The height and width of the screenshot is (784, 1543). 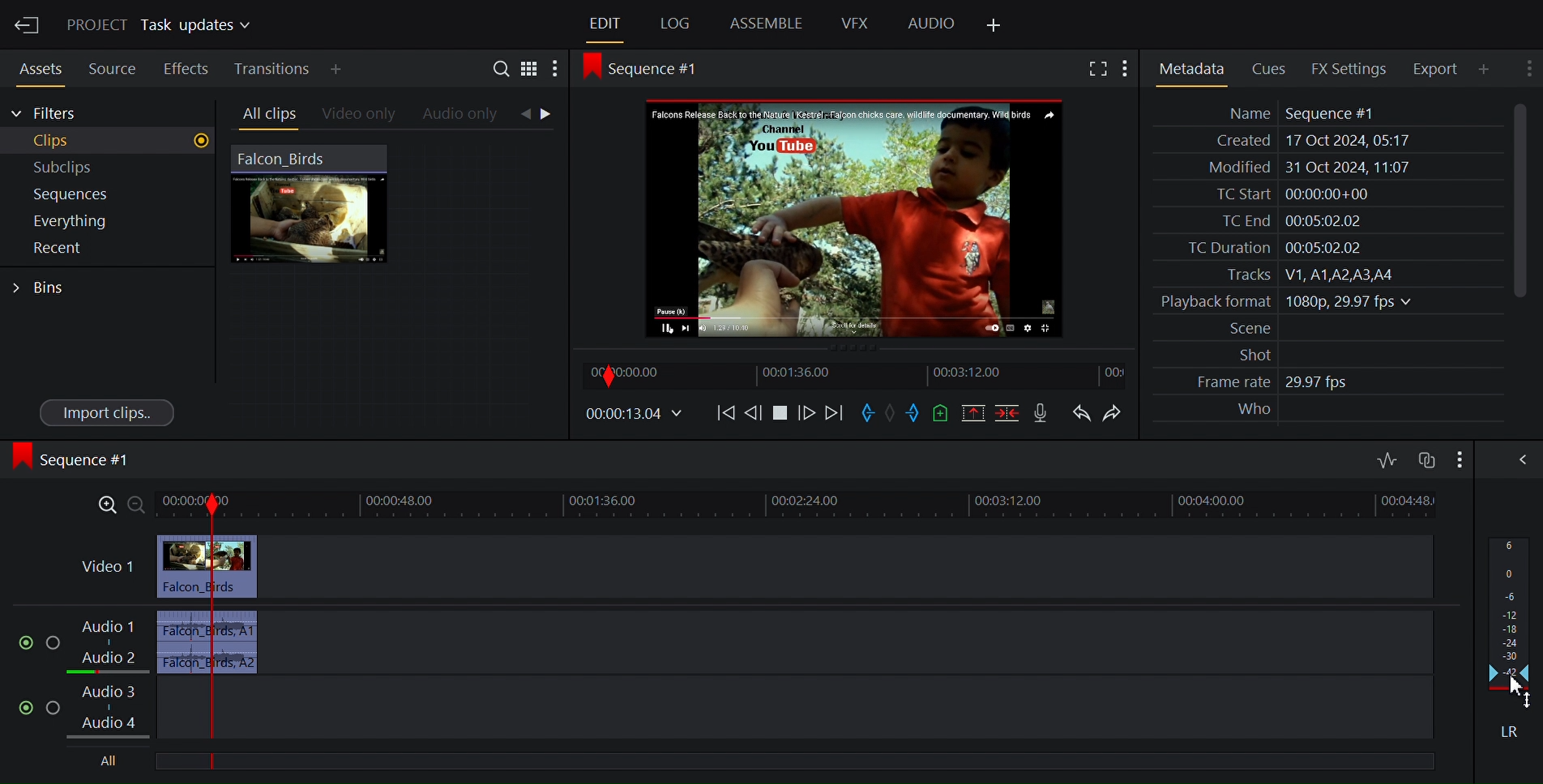 What do you see at coordinates (1043, 413) in the screenshot?
I see `Record voice over` at bounding box center [1043, 413].